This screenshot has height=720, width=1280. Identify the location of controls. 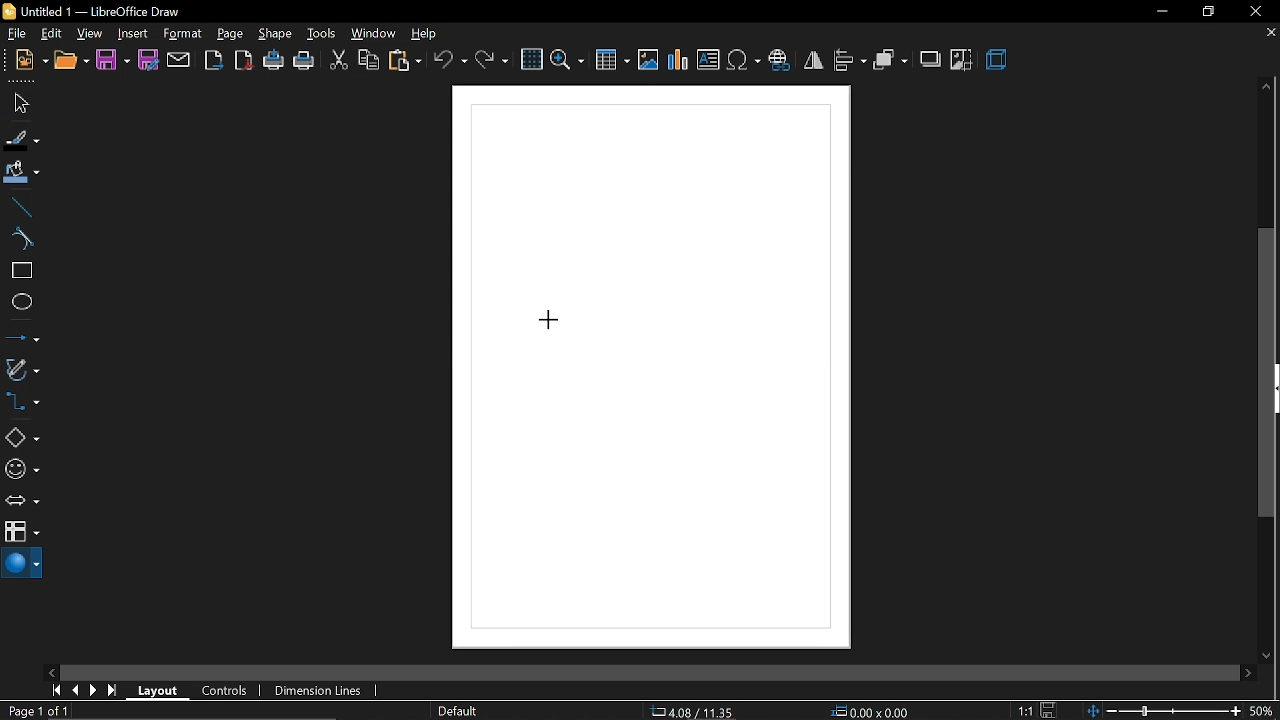
(227, 691).